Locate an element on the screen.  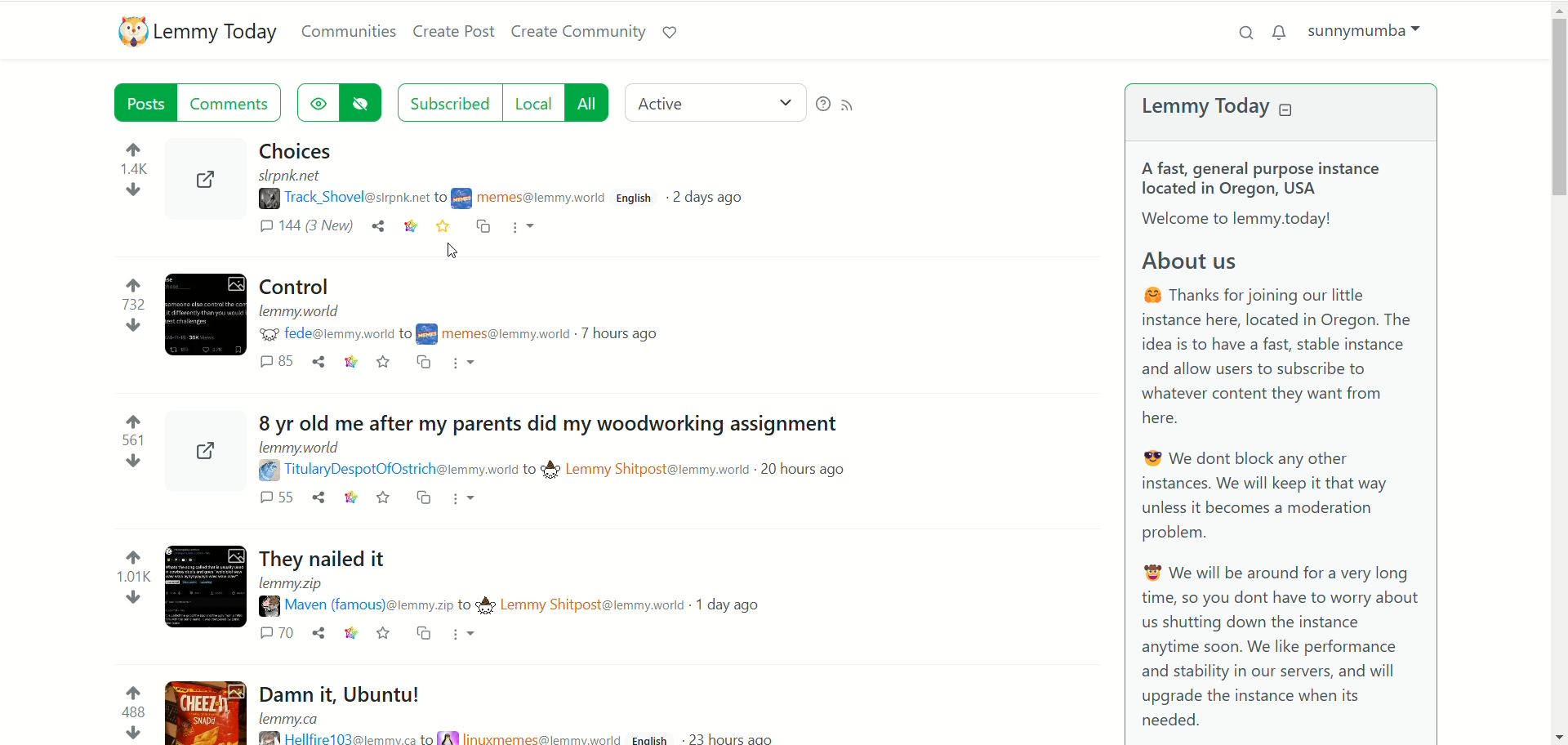
share post is located at coordinates (198, 450).